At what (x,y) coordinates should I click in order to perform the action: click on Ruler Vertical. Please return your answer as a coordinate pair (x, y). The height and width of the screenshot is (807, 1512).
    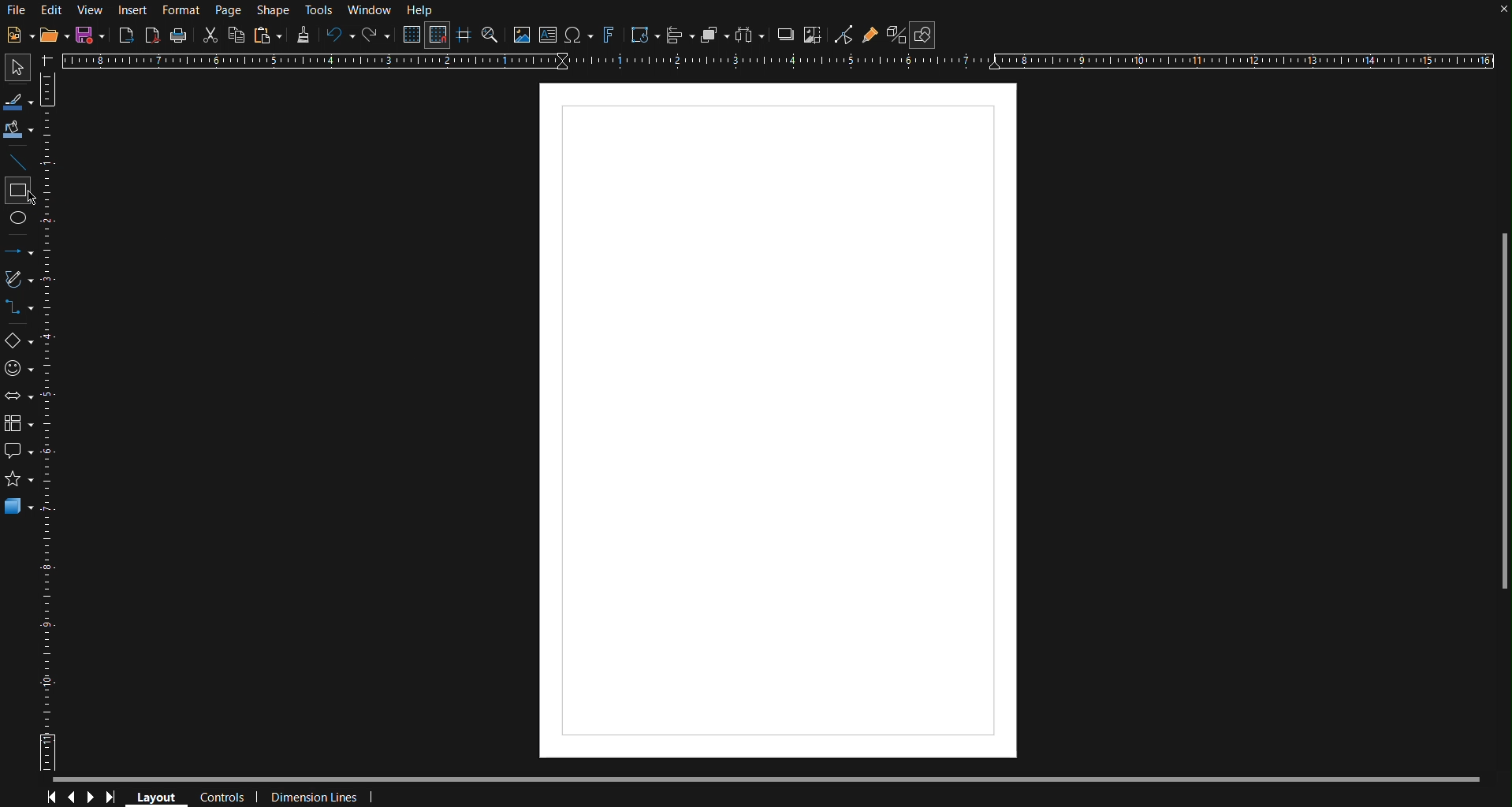
    Looking at the image, I should click on (50, 420).